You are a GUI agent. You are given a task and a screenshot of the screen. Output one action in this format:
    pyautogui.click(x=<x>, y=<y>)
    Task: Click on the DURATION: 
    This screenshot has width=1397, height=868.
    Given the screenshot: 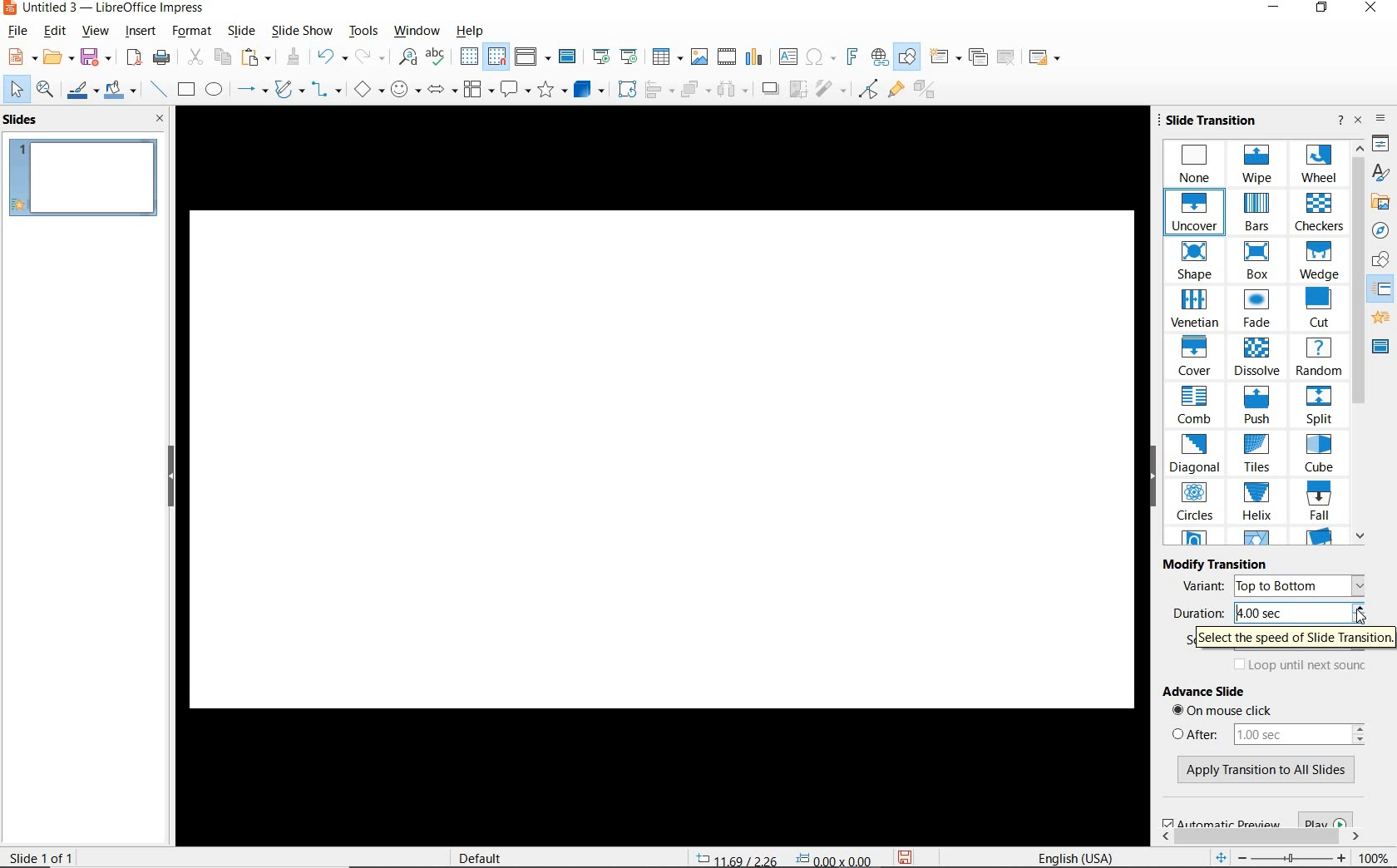 What is the action you would take?
    pyautogui.click(x=1198, y=611)
    